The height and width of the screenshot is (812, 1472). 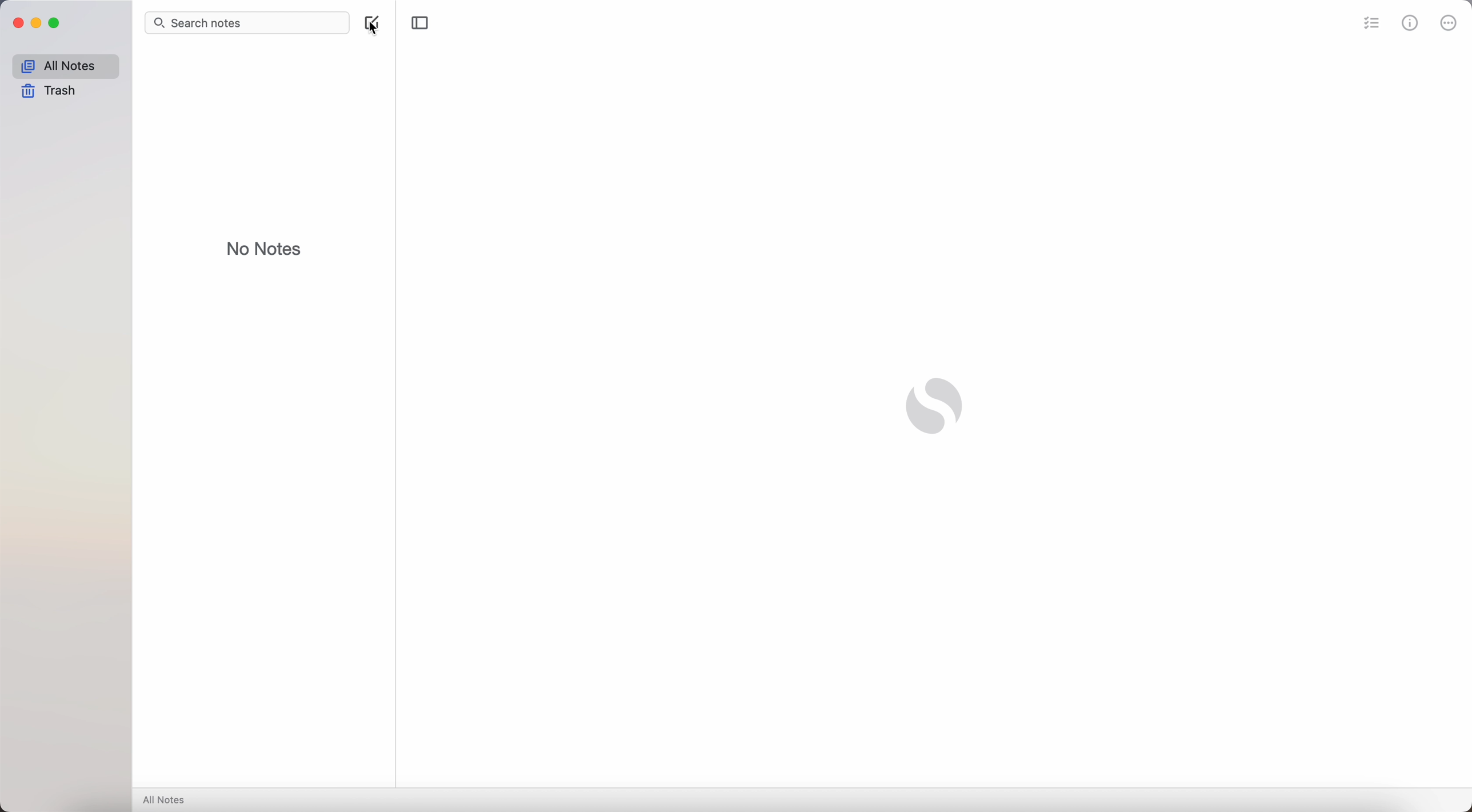 What do you see at coordinates (379, 26) in the screenshot?
I see `cursor` at bounding box center [379, 26].